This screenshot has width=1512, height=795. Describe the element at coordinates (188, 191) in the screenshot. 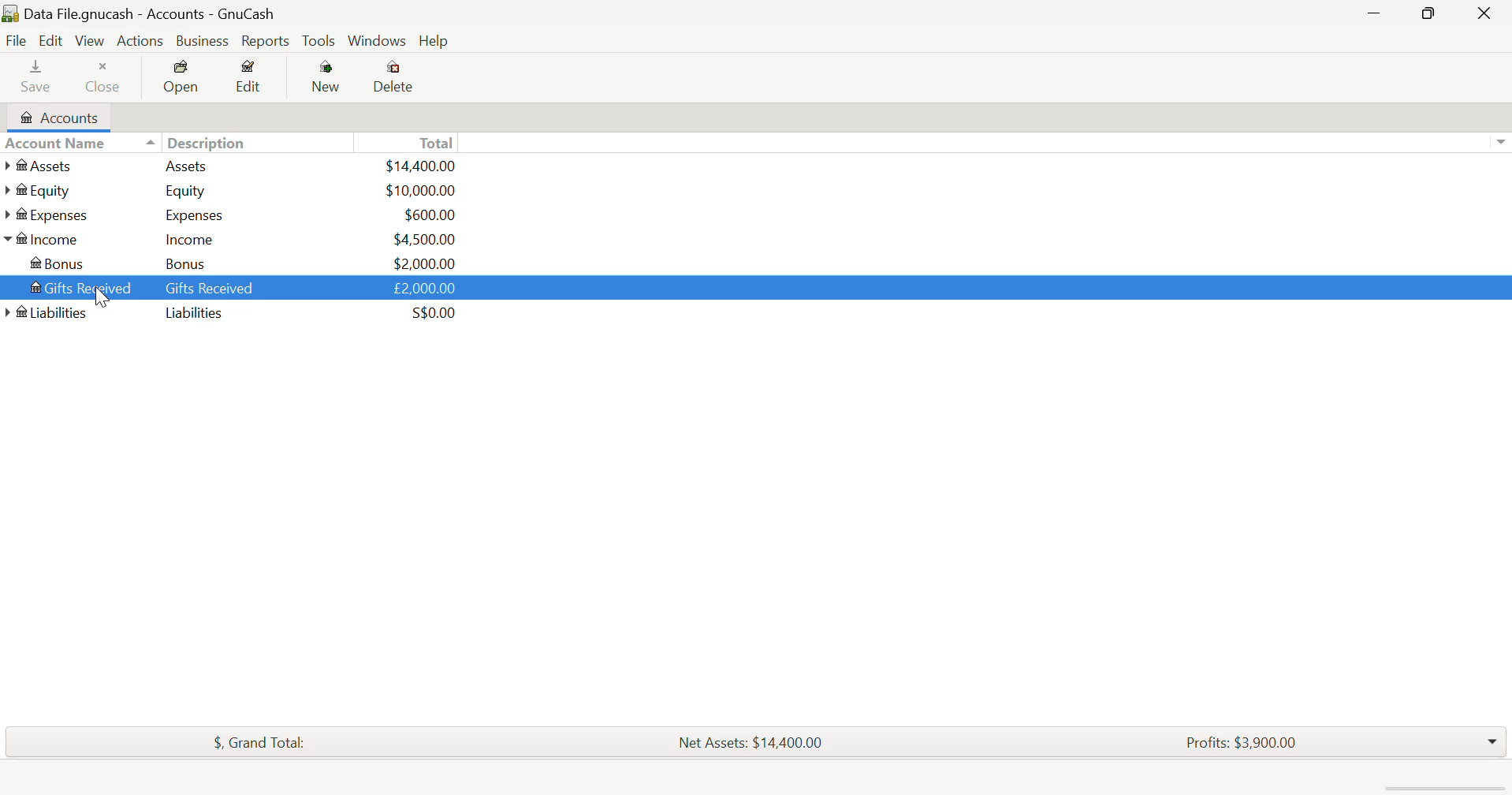

I see `Equity` at that location.